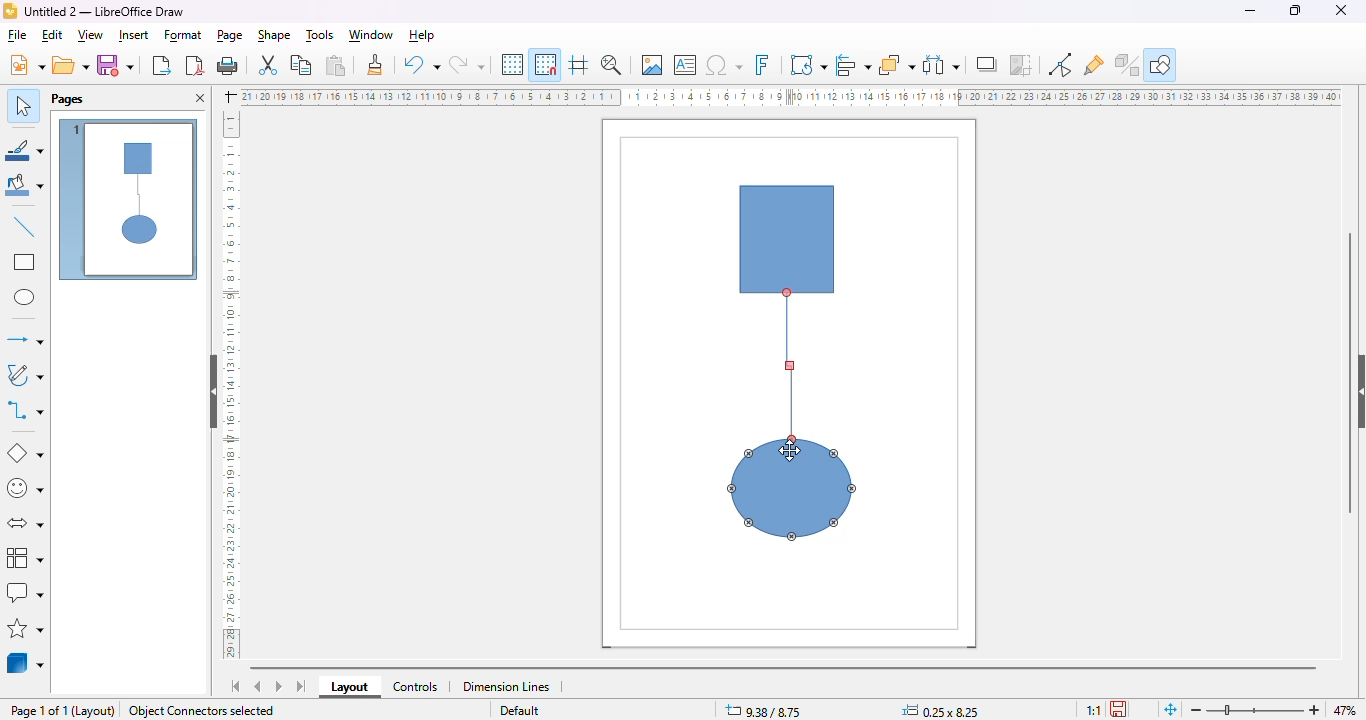 The width and height of the screenshot is (1366, 720). I want to click on select at least three objects to distribute, so click(942, 65).